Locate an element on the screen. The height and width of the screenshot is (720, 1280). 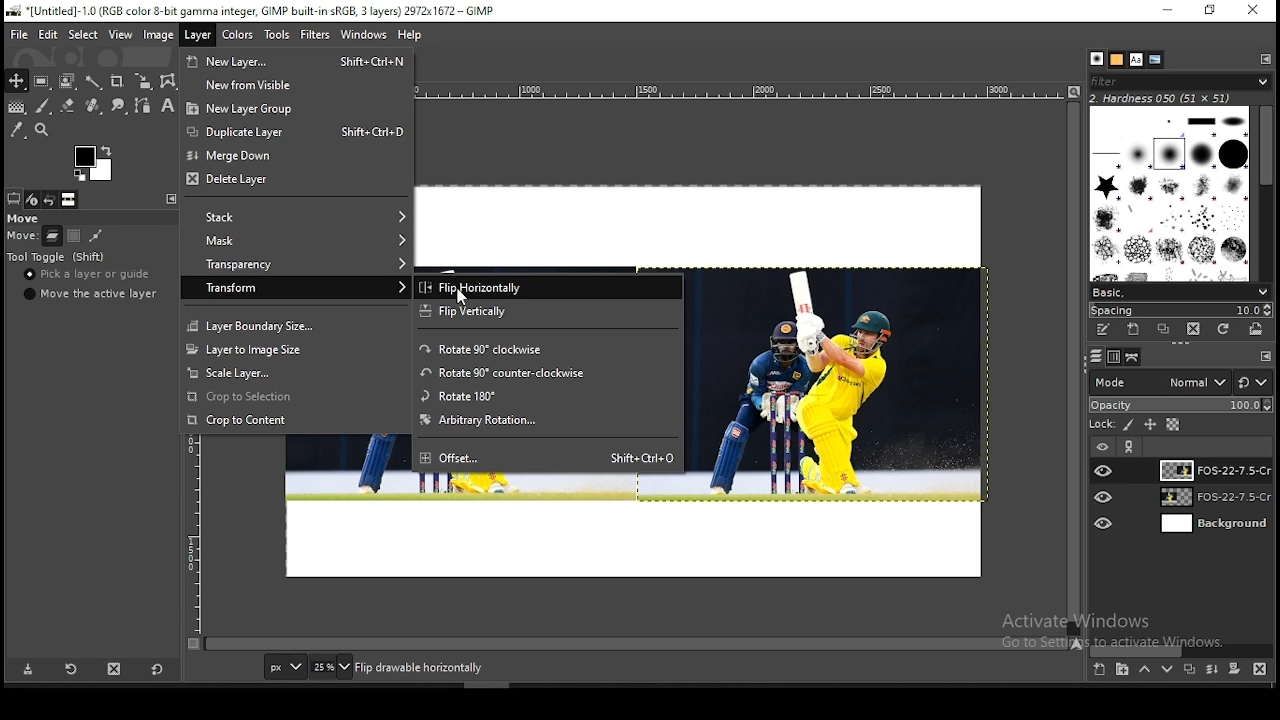
scale layer is located at coordinates (298, 373).